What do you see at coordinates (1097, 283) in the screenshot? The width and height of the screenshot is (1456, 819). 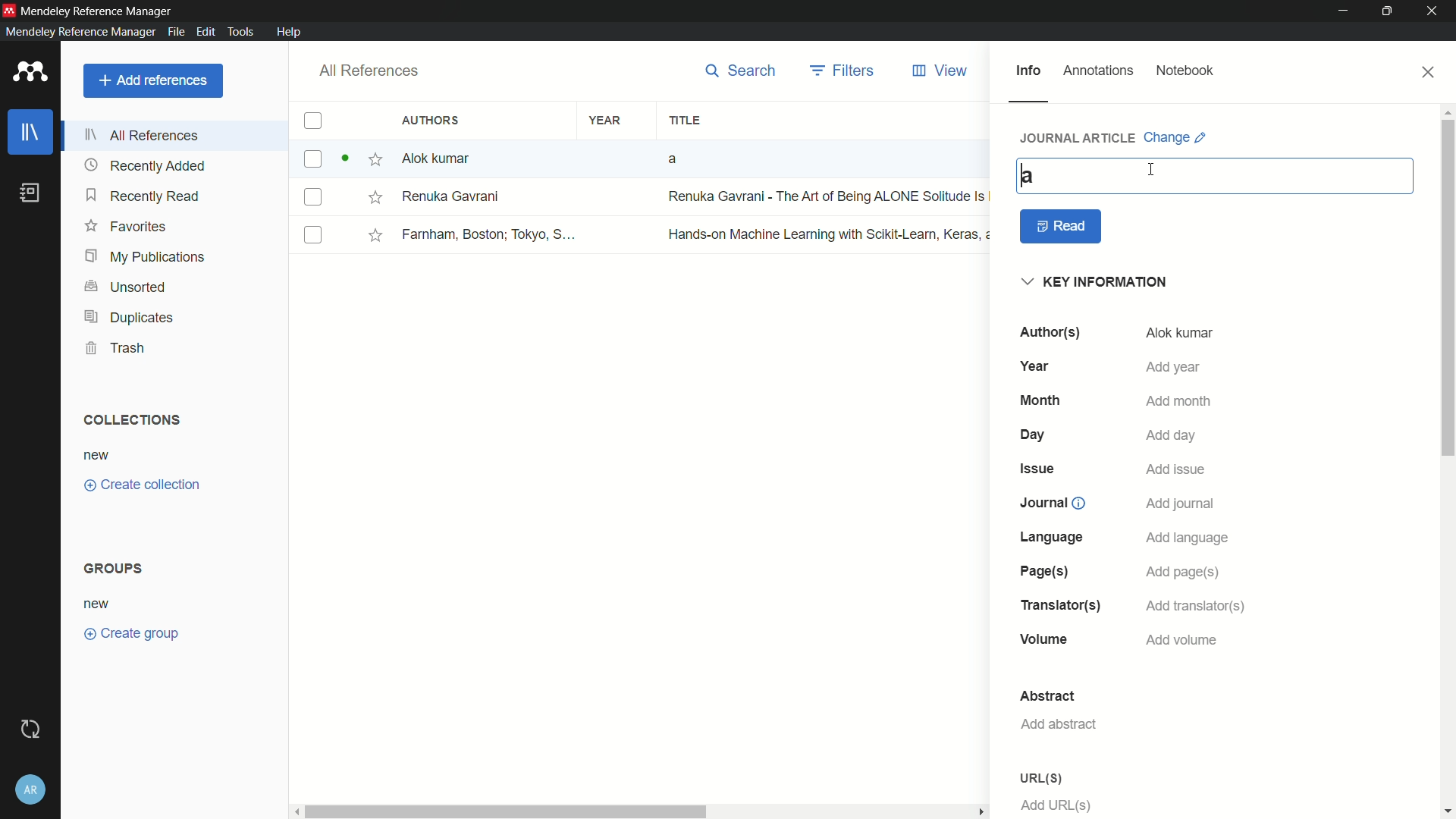 I see `key information` at bounding box center [1097, 283].